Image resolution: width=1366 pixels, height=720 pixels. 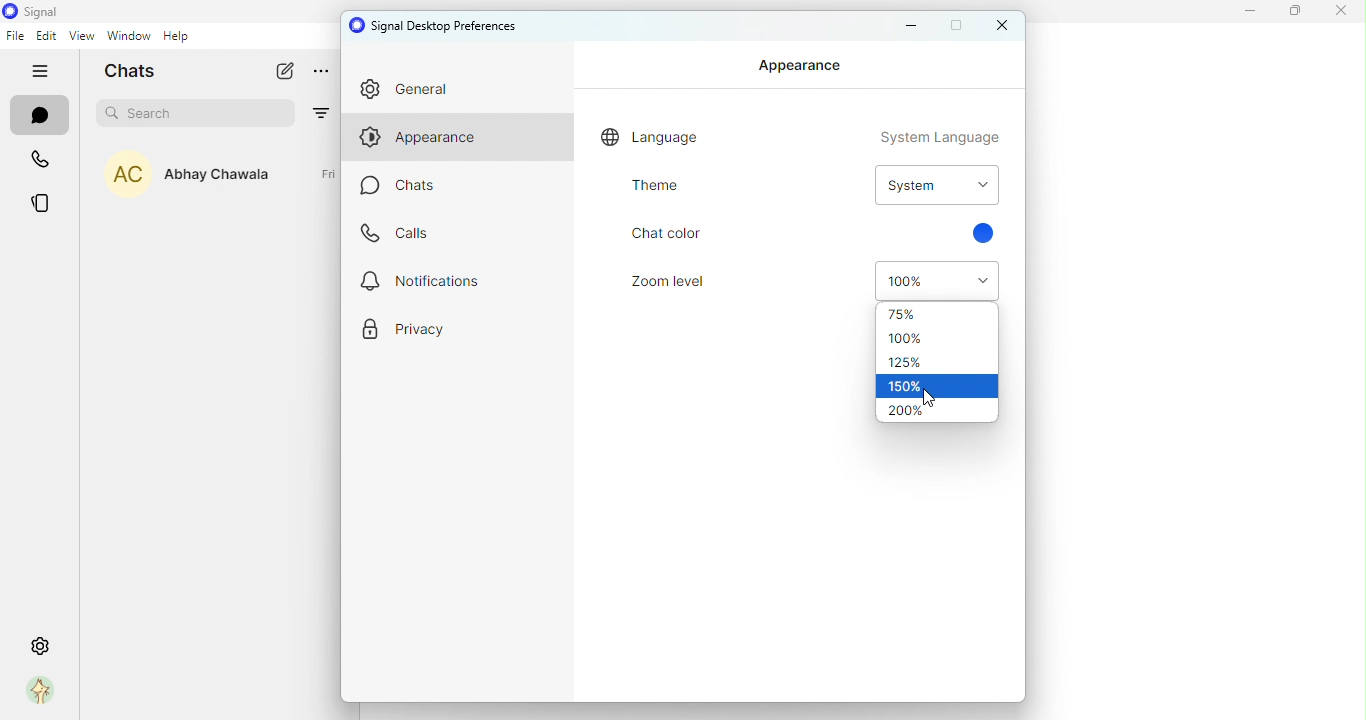 What do you see at coordinates (200, 113) in the screenshot?
I see `search bar` at bounding box center [200, 113].